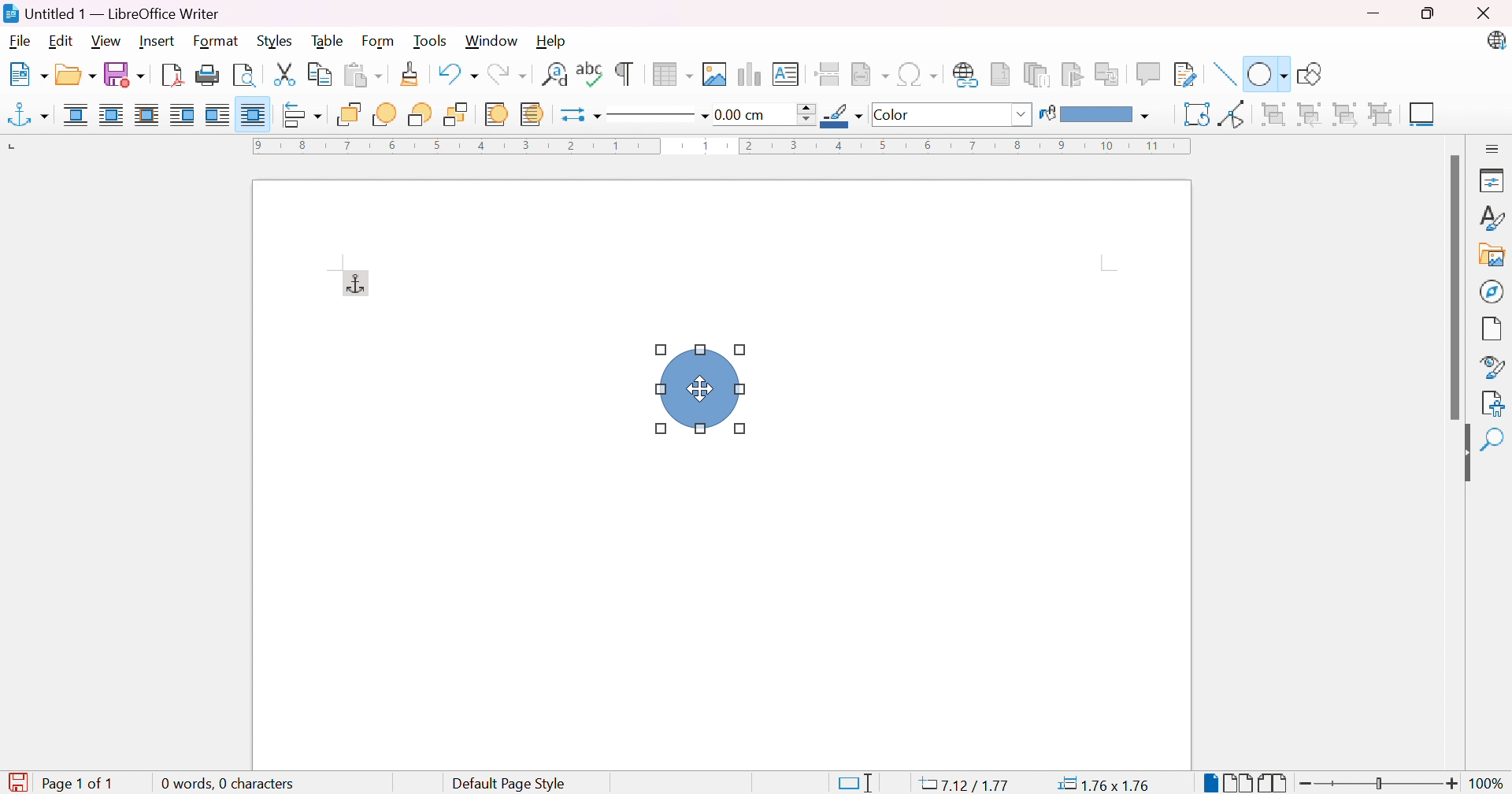  What do you see at coordinates (1458, 288) in the screenshot?
I see `Scroll bar` at bounding box center [1458, 288].